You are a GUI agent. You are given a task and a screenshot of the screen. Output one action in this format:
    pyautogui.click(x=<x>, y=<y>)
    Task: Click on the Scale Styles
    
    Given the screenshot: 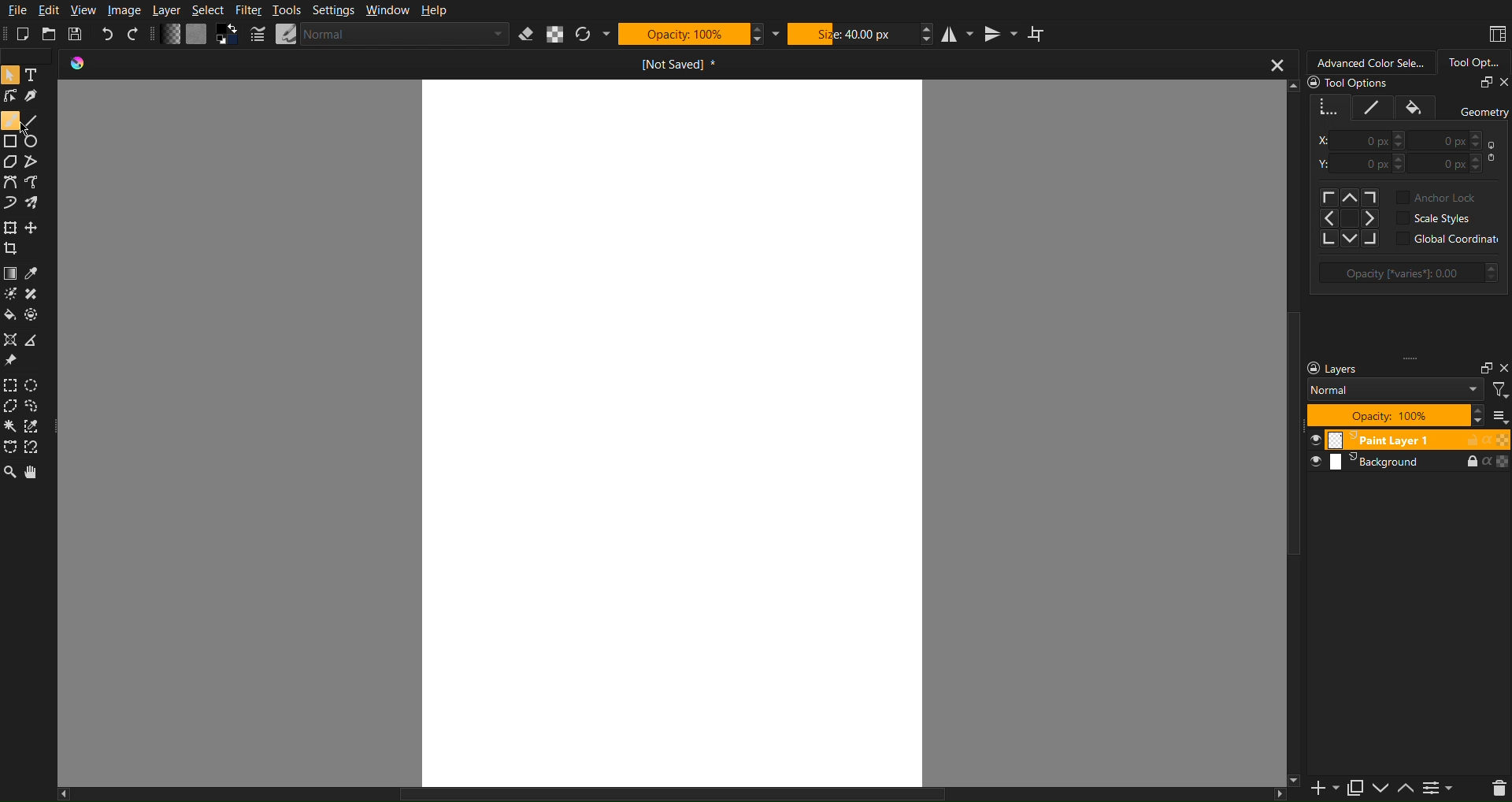 What is the action you would take?
    pyautogui.click(x=1433, y=217)
    